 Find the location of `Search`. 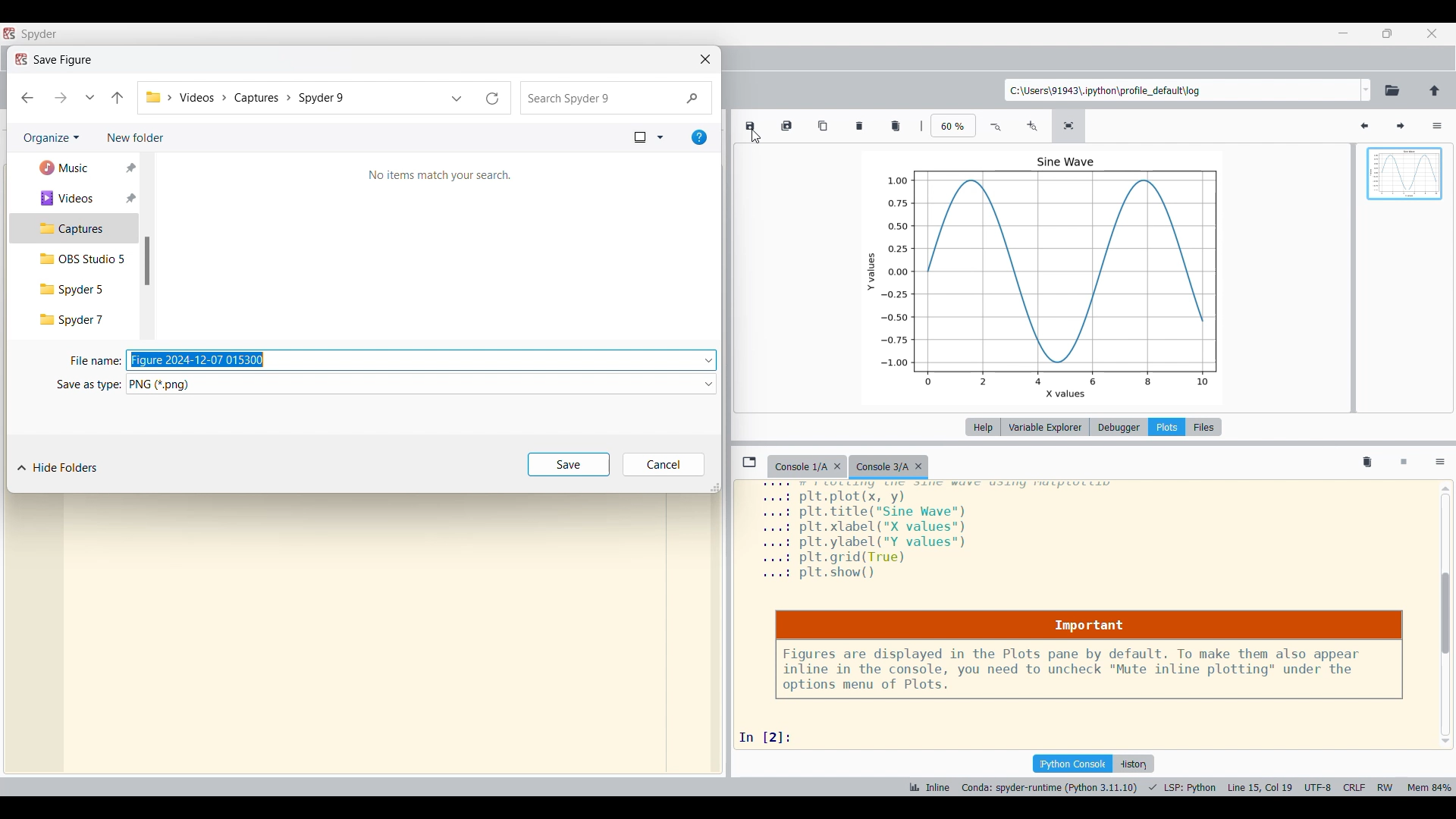

Search is located at coordinates (617, 98).